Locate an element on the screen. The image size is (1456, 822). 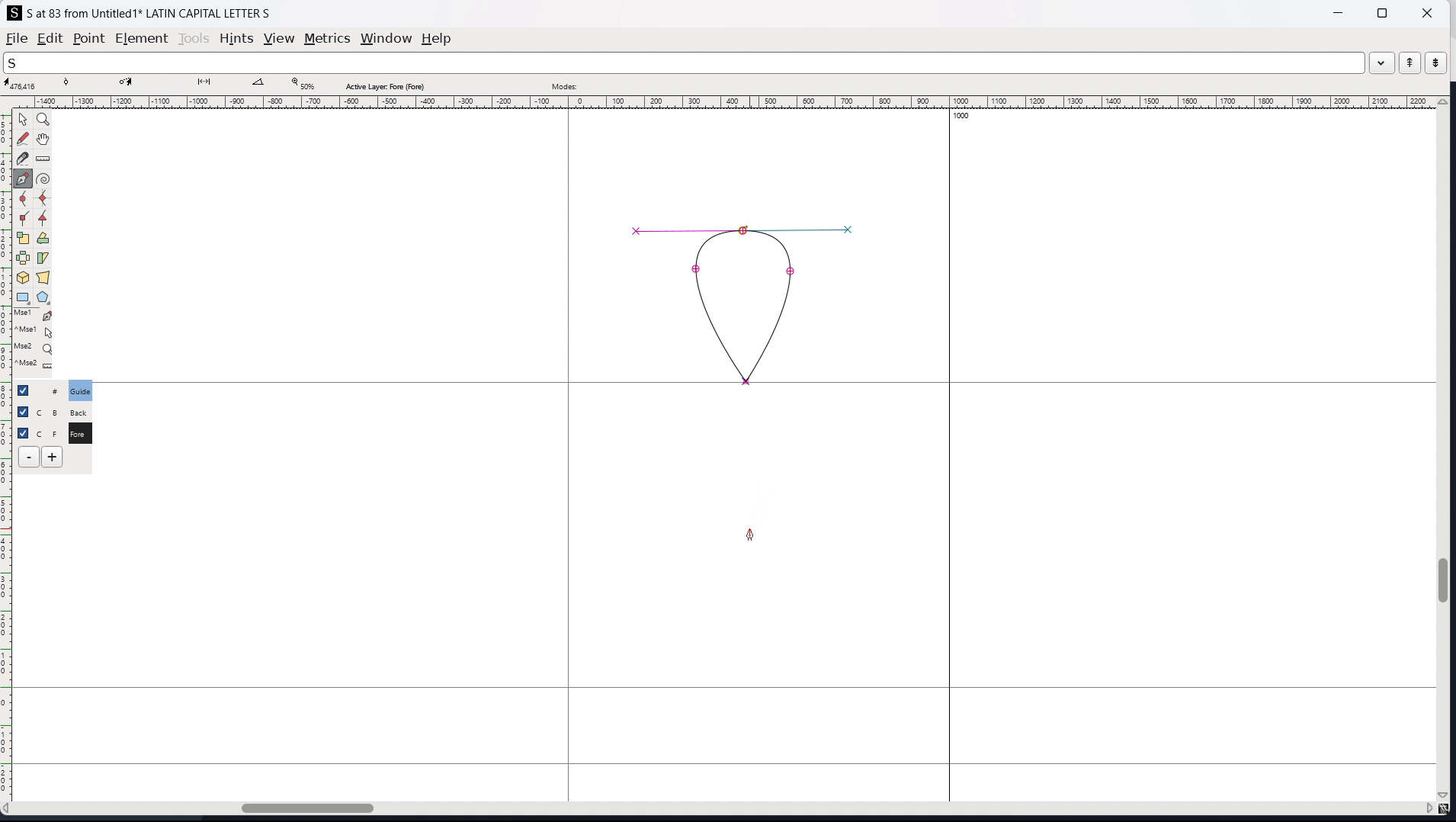
previous word in the wordlist is located at coordinates (1410, 63).